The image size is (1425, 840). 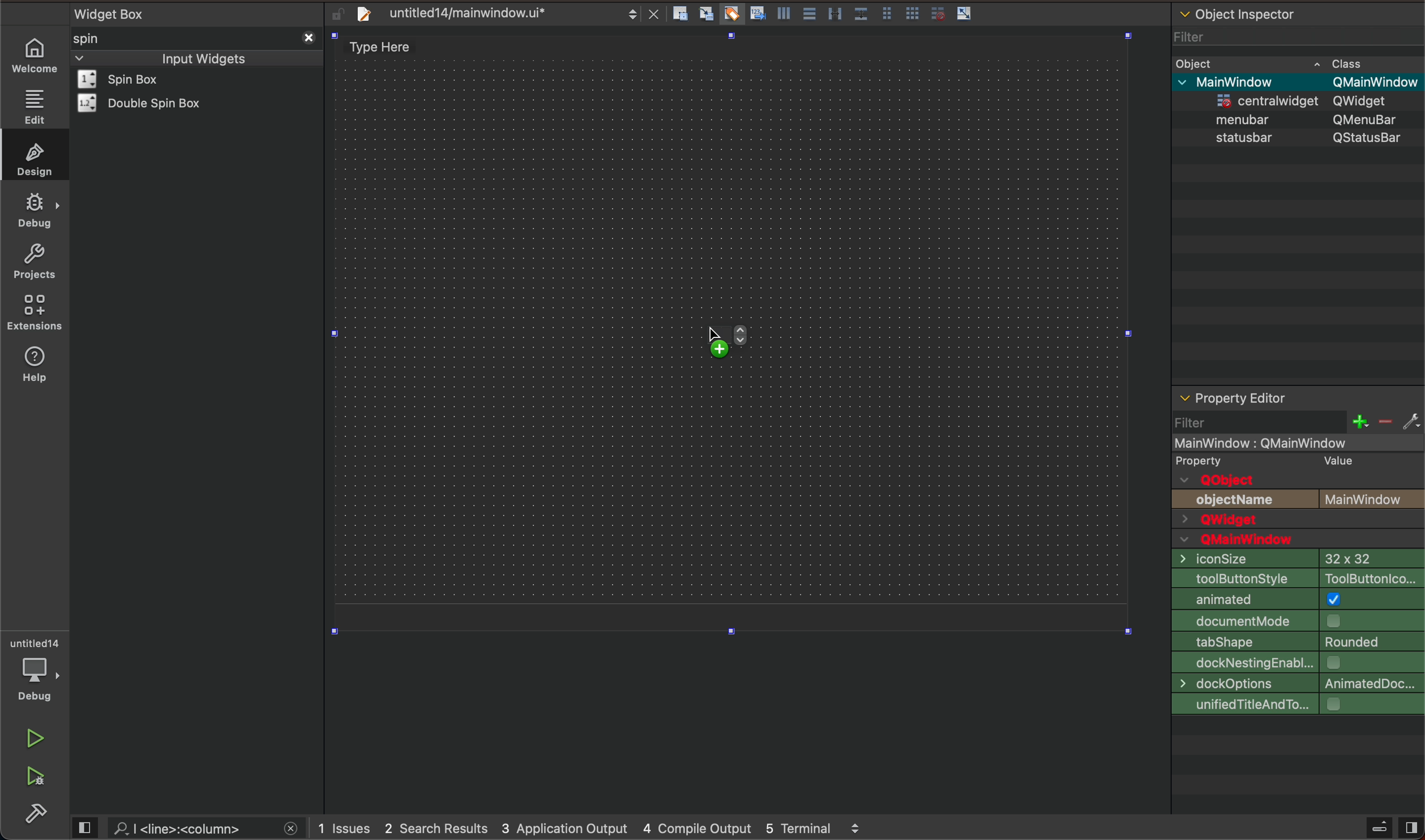 I want to click on object, so click(x=1246, y=137).